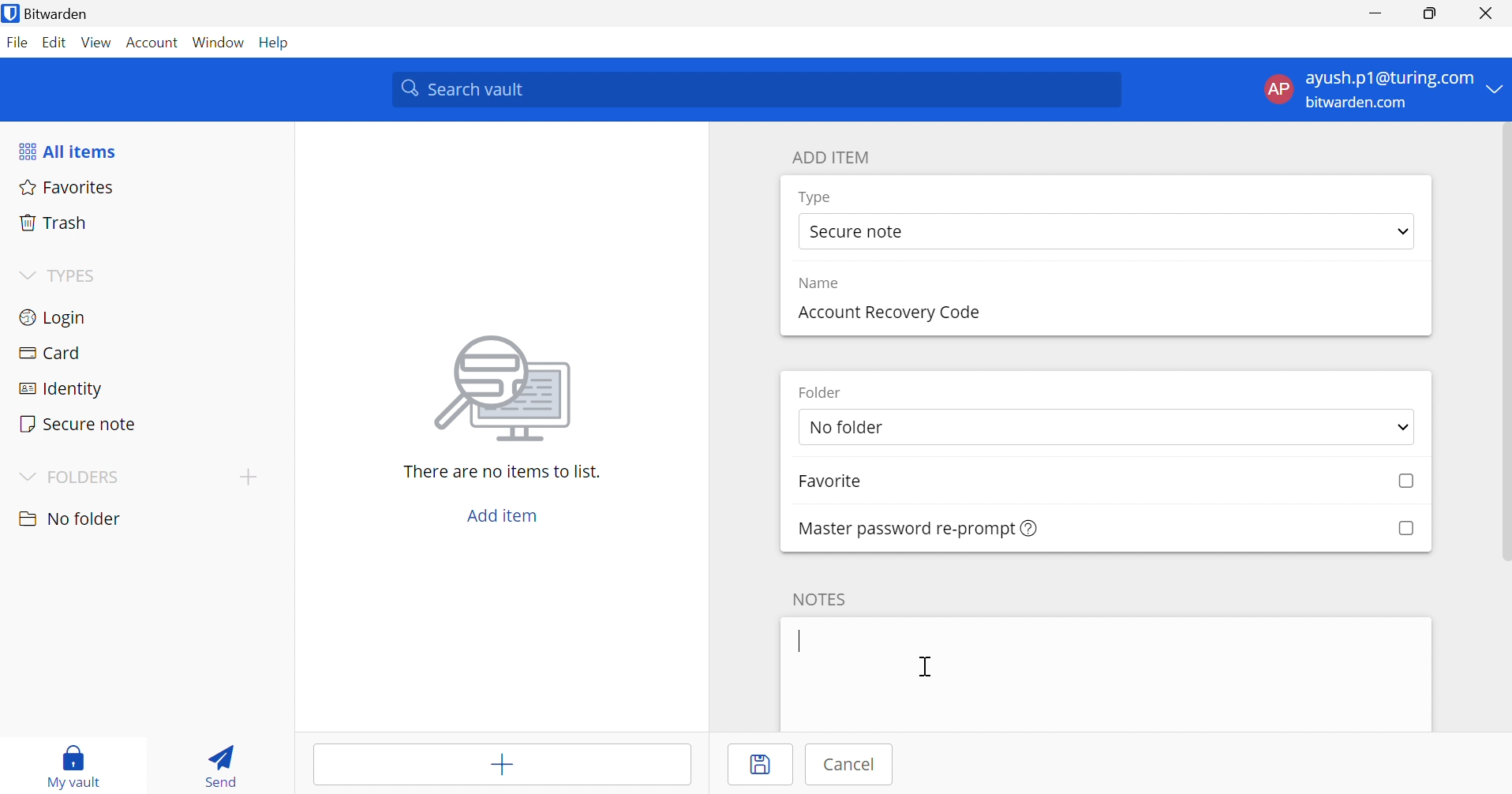 This screenshot has height=794, width=1512. What do you see at coordinates (501, 472) in the screenshot?
I see `There are no items to list` at bounding box center [501, 472].